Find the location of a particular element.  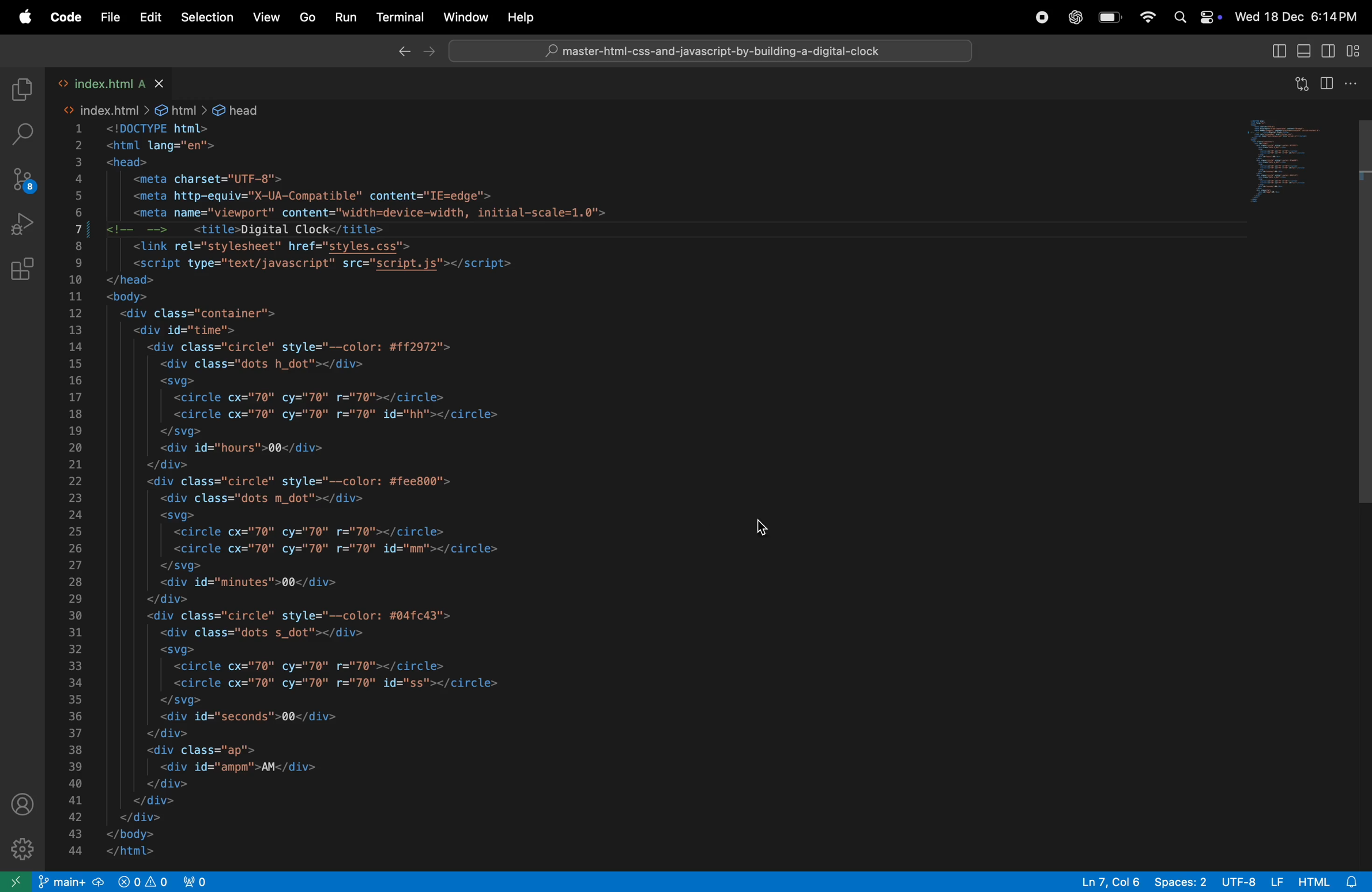

Forward is located at coordinates (403, 50).